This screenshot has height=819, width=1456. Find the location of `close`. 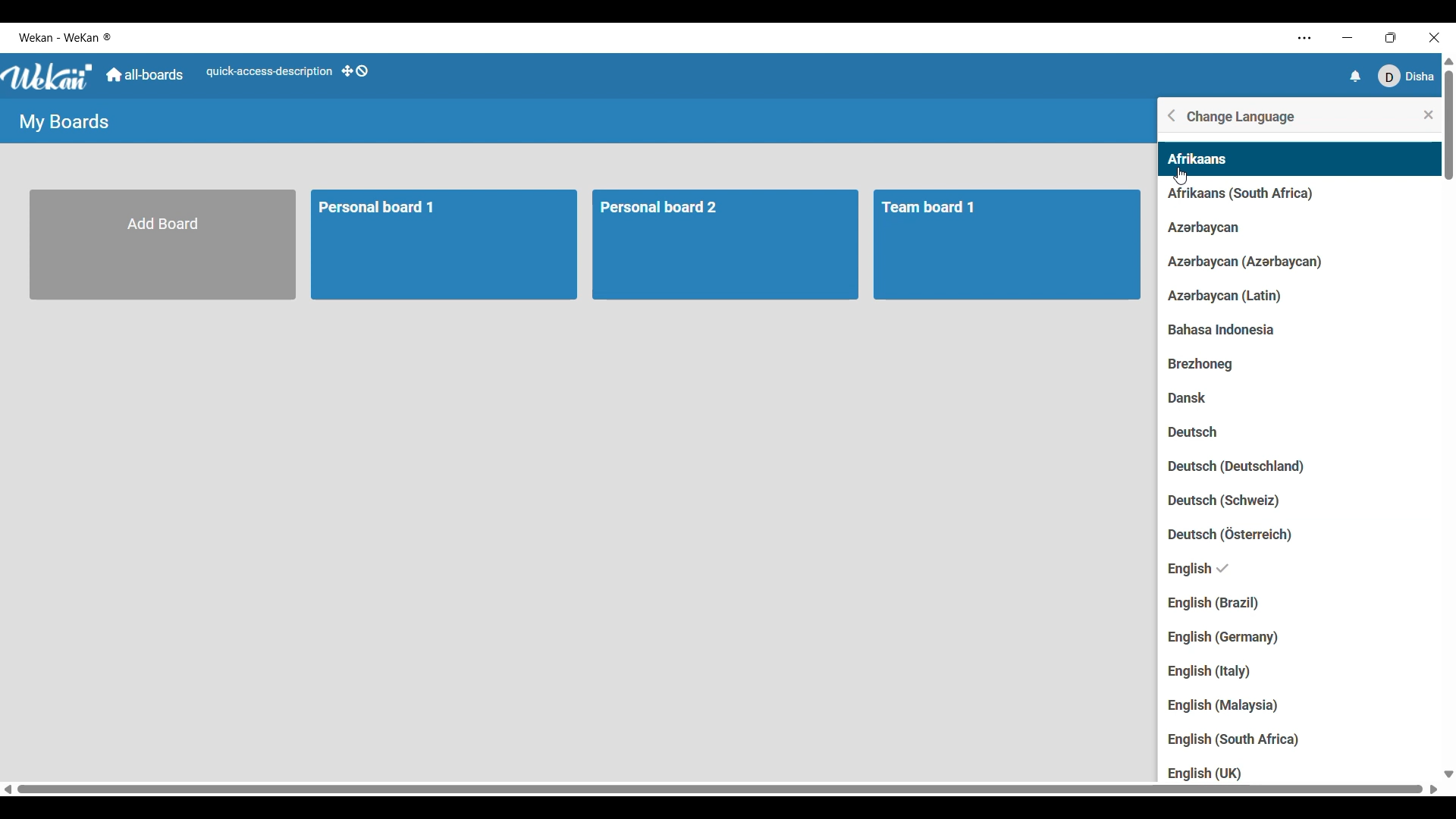

close is located at coordinates (1428, 115).